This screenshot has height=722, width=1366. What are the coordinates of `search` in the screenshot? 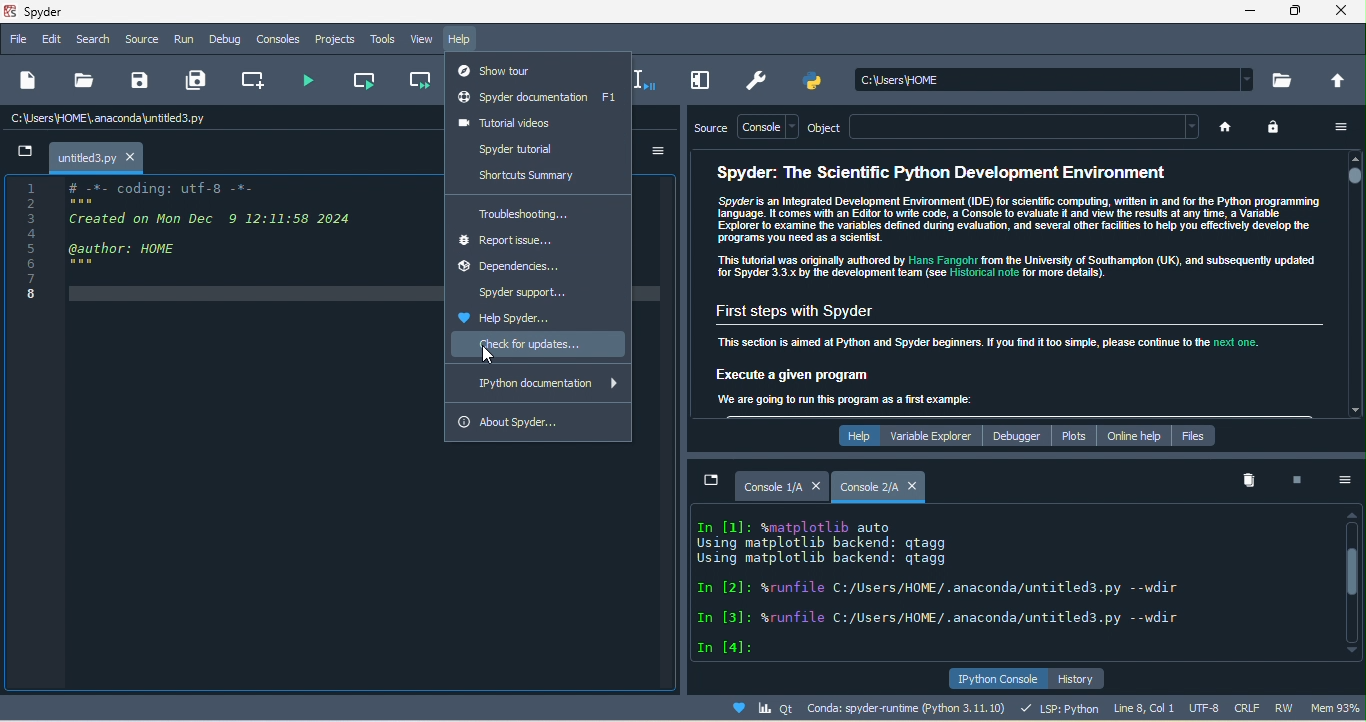 It's located at (91, 40).